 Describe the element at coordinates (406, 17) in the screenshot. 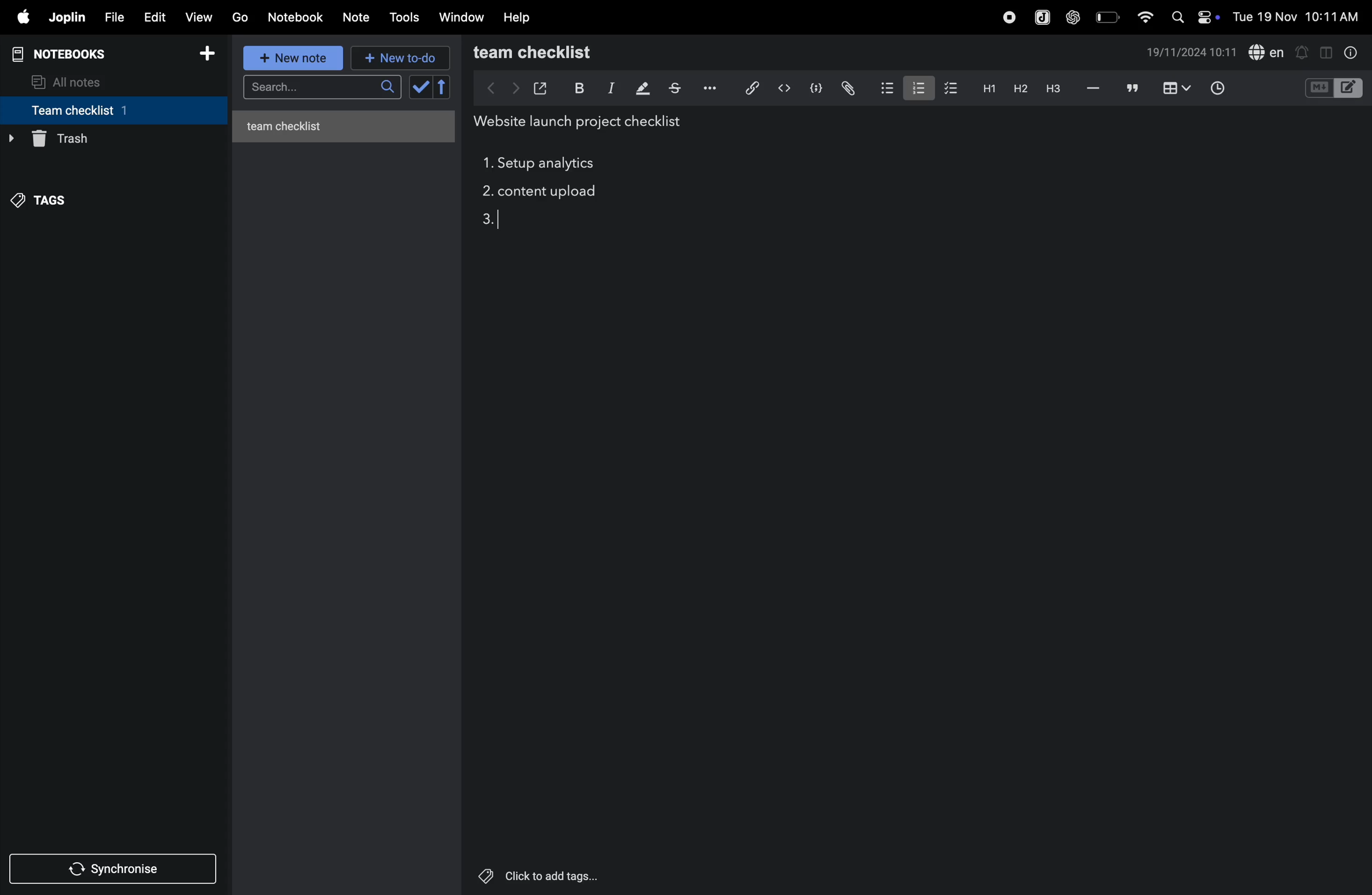

I see `tools` at that location.